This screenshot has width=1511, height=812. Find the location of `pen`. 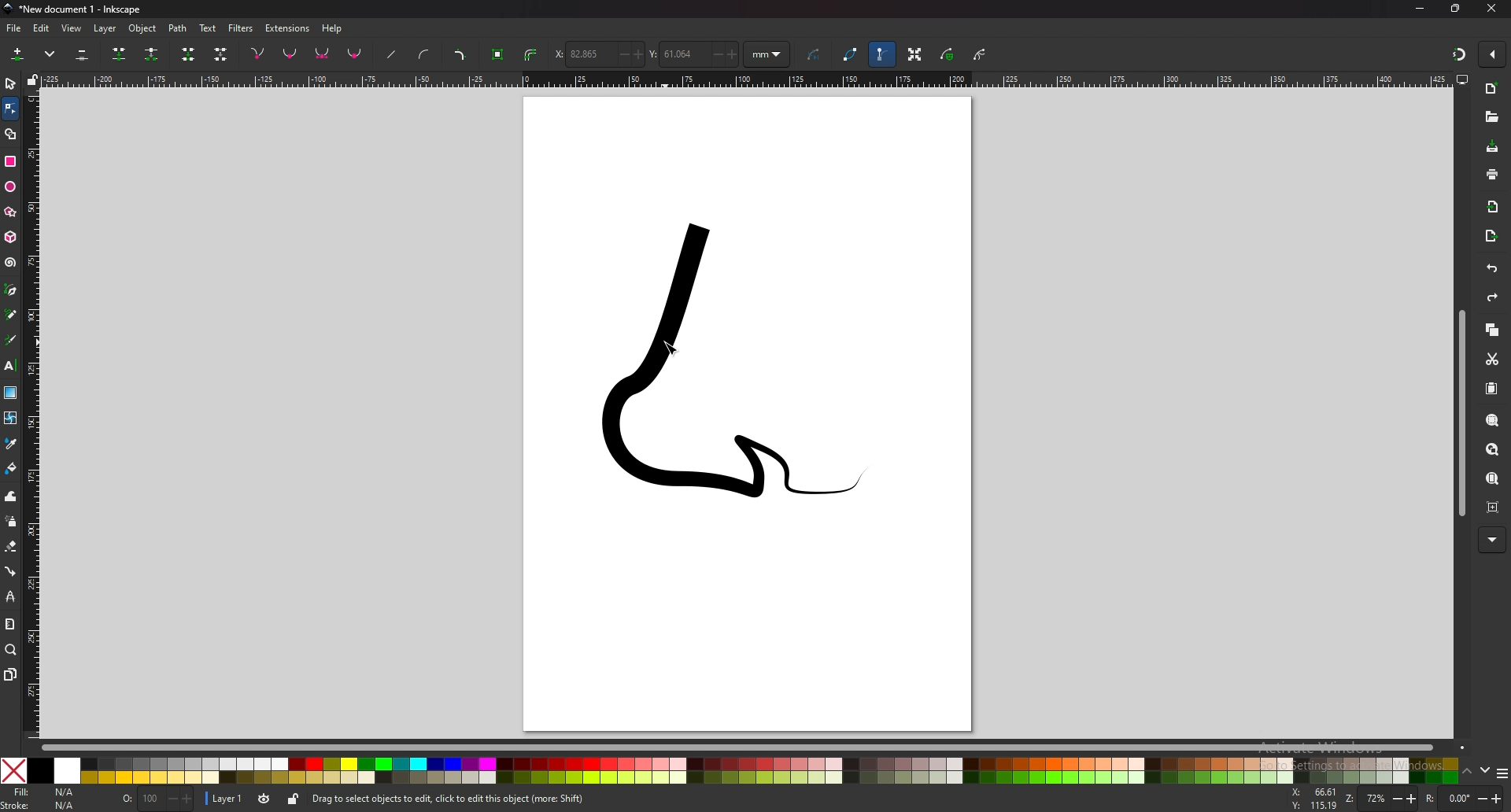

pen is located at coordinates (11, 290).